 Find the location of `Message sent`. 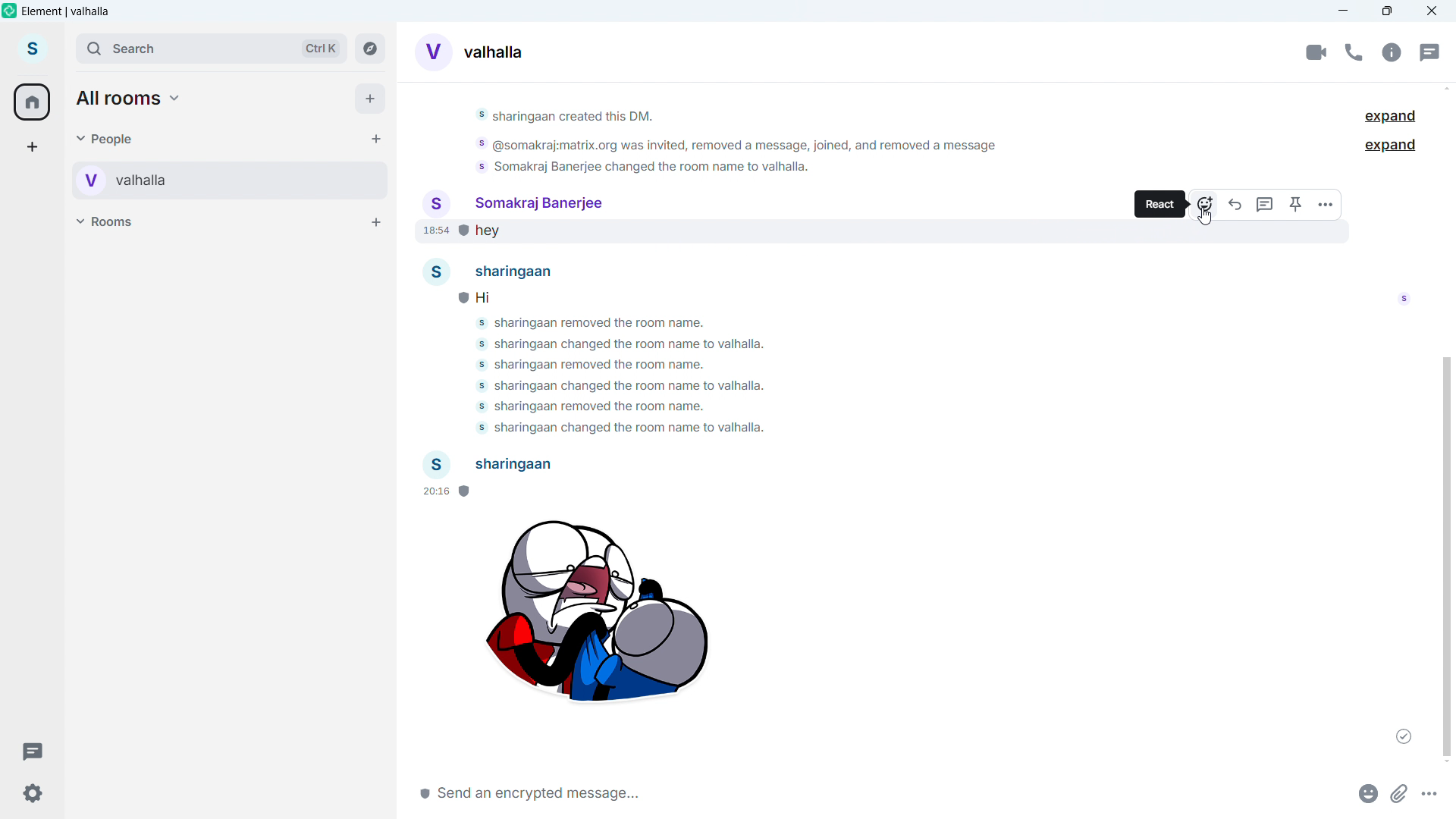

Message sent is located at coordinates (1404, 736).